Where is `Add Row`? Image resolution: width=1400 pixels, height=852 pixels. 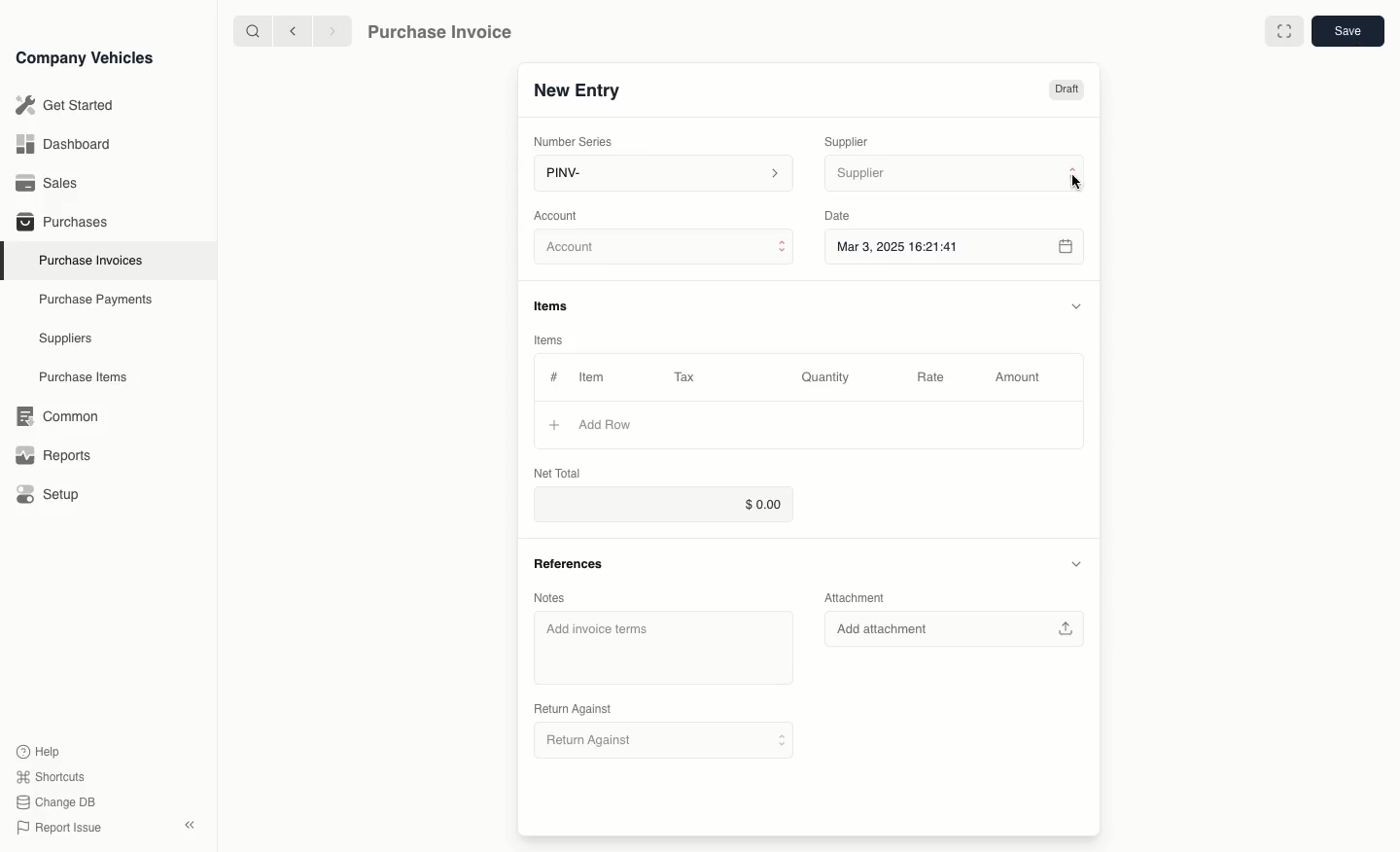
Add Row is located at coordinates (592, 425).